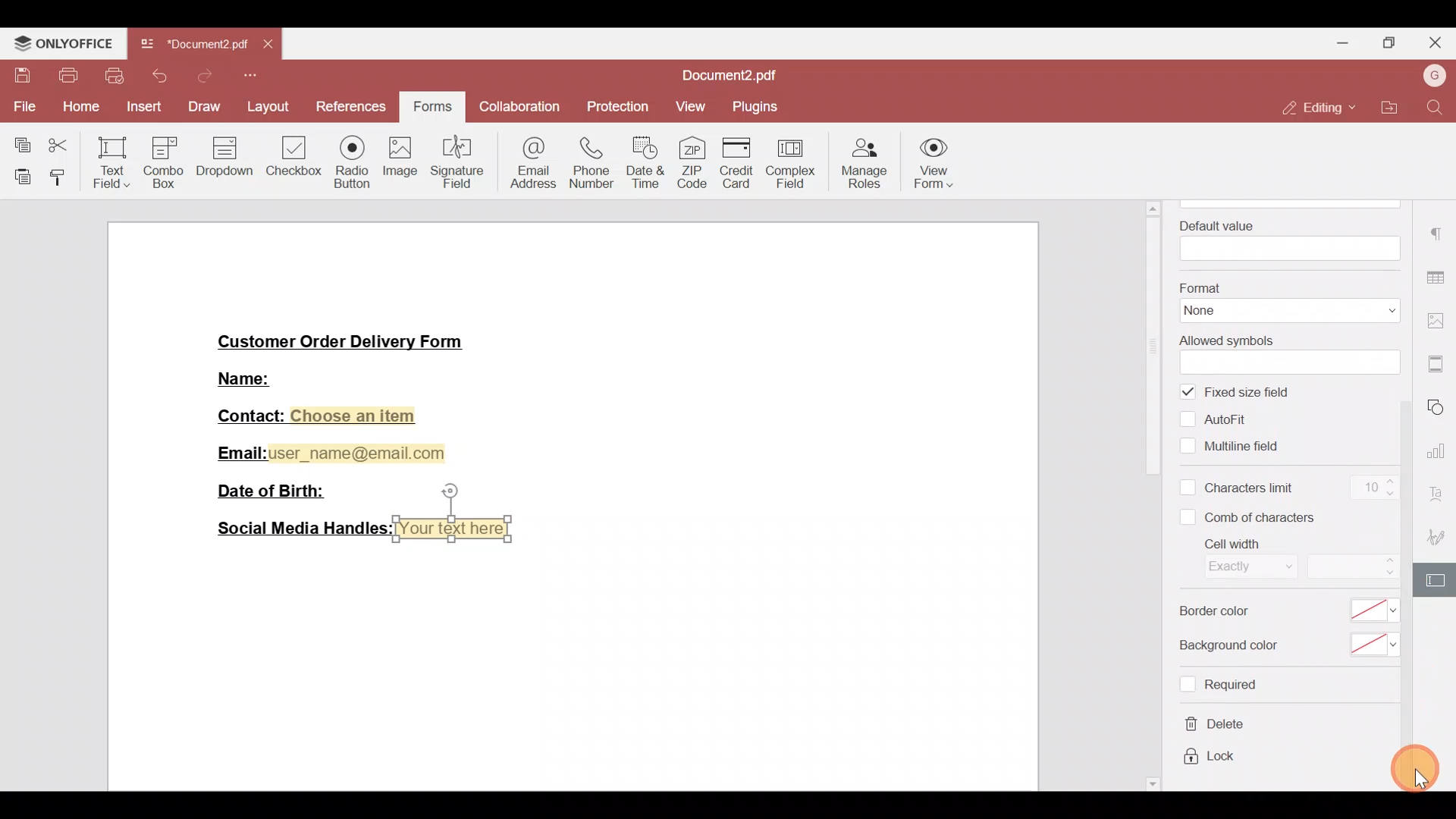 This screenshot has width=1456, height=819. What do you see at coordinates (1283, 646) in the screenshot?
I see `Background color` at bounding box center [1283, 646].